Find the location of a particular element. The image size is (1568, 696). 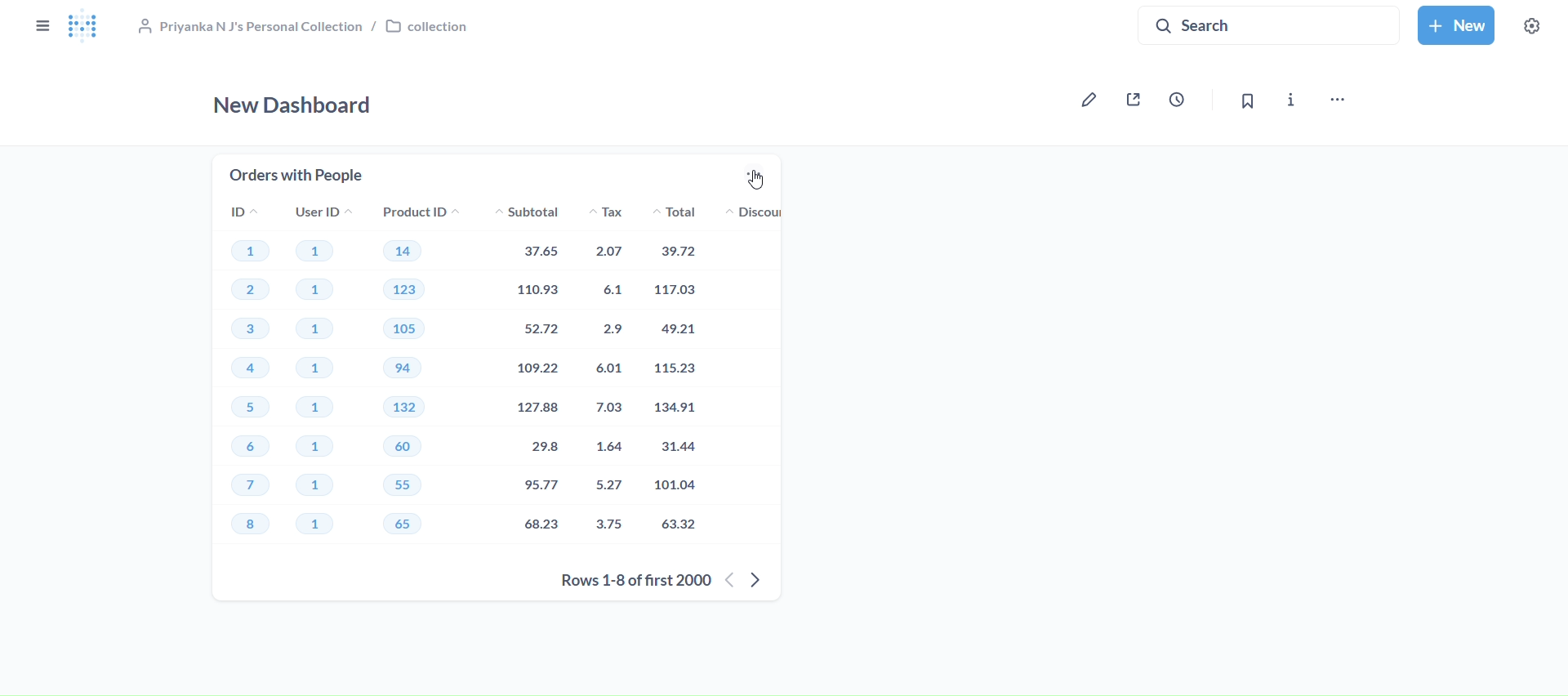

new is located at coordinates (1458, 26).